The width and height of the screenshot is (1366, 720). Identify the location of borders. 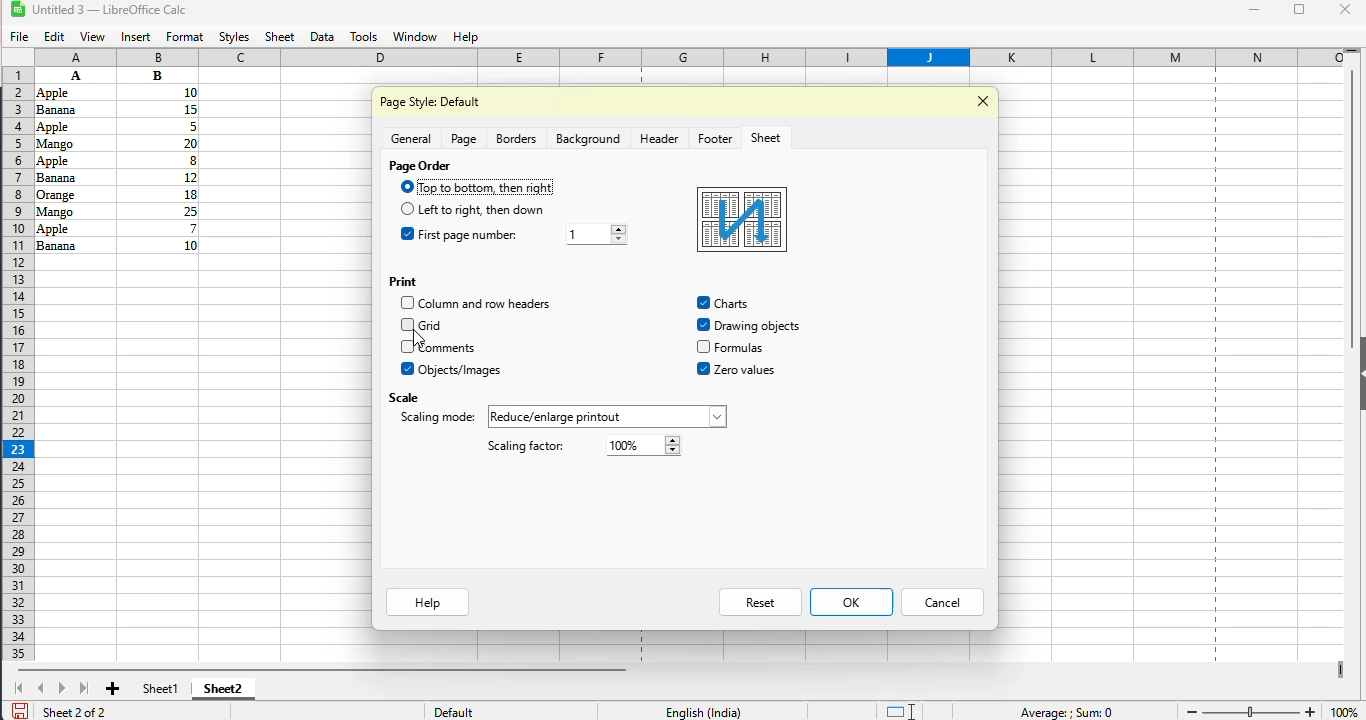
(516, 139).